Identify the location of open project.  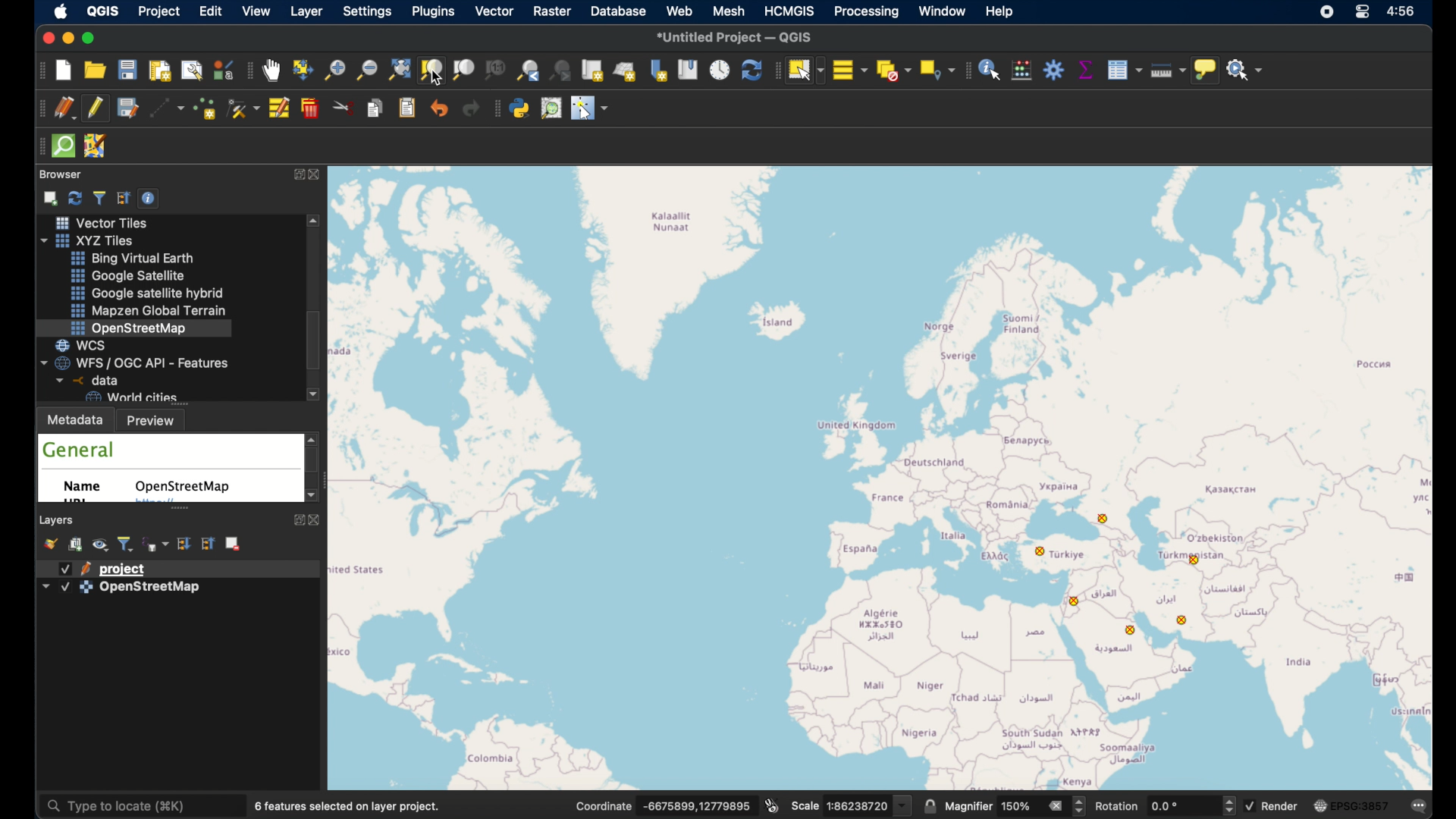
(94, 70).